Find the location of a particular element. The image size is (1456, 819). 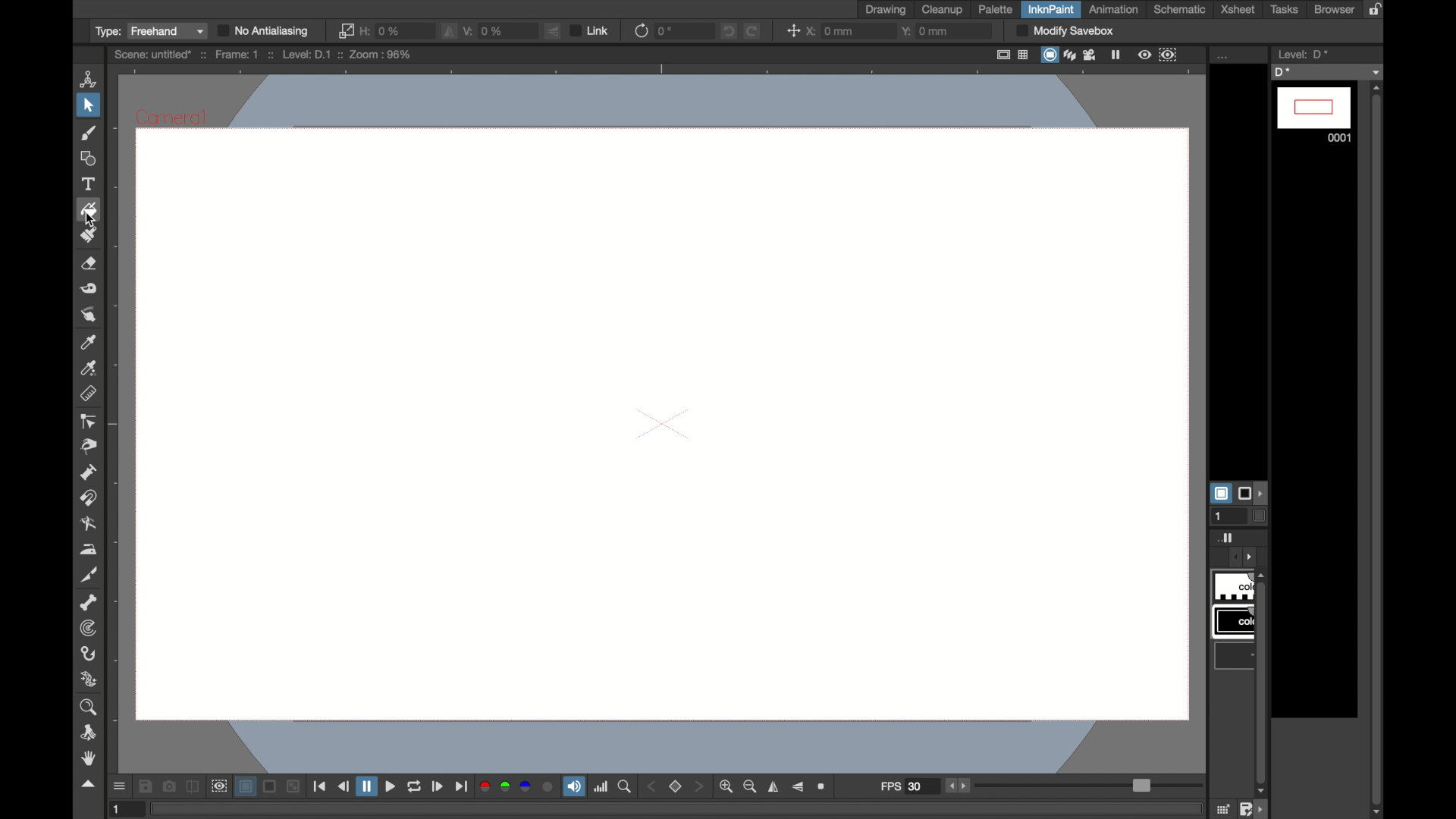

flip vertically is located at coordinates (447, 31).